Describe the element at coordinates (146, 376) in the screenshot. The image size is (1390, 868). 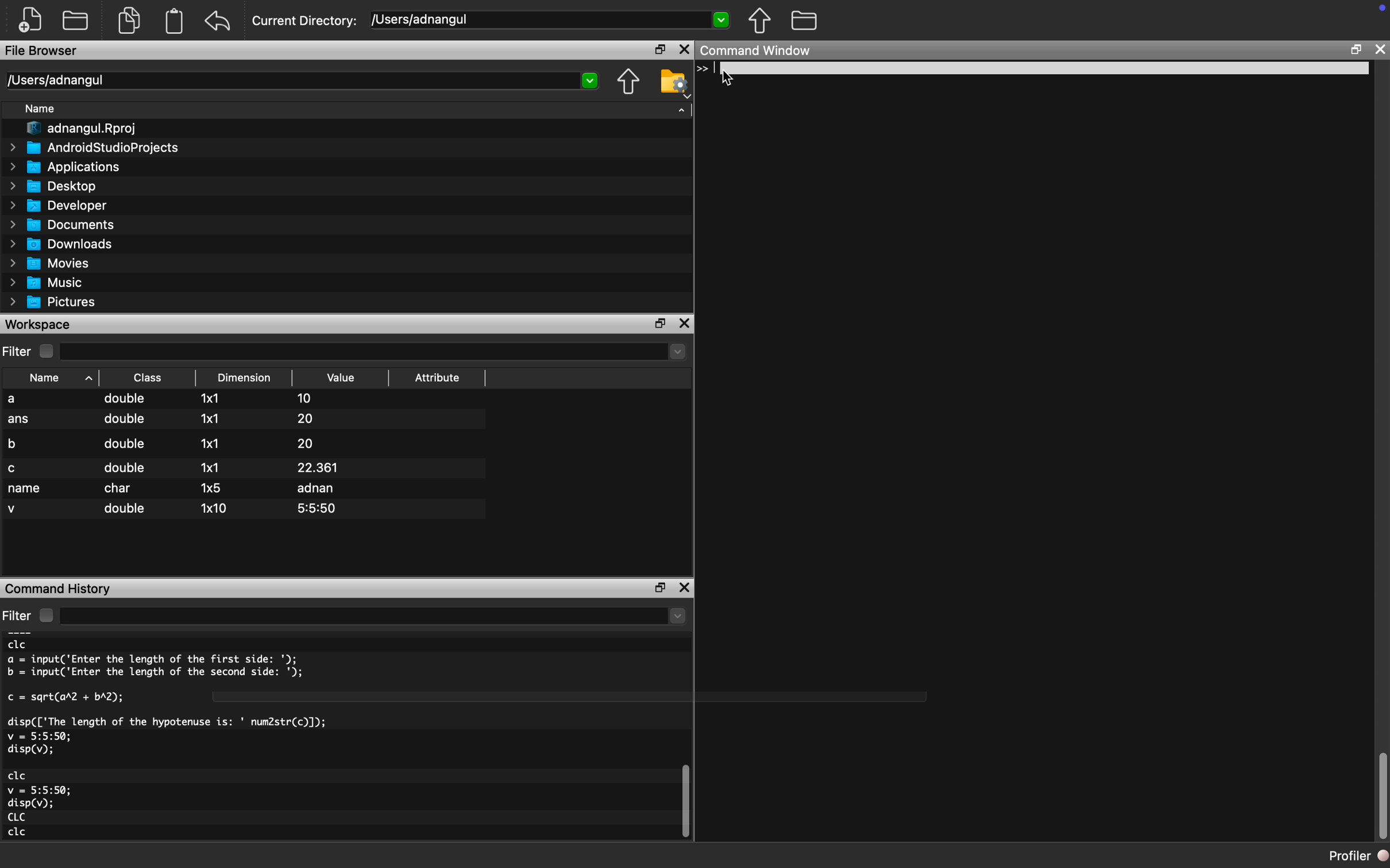
I see `Class` at that location.